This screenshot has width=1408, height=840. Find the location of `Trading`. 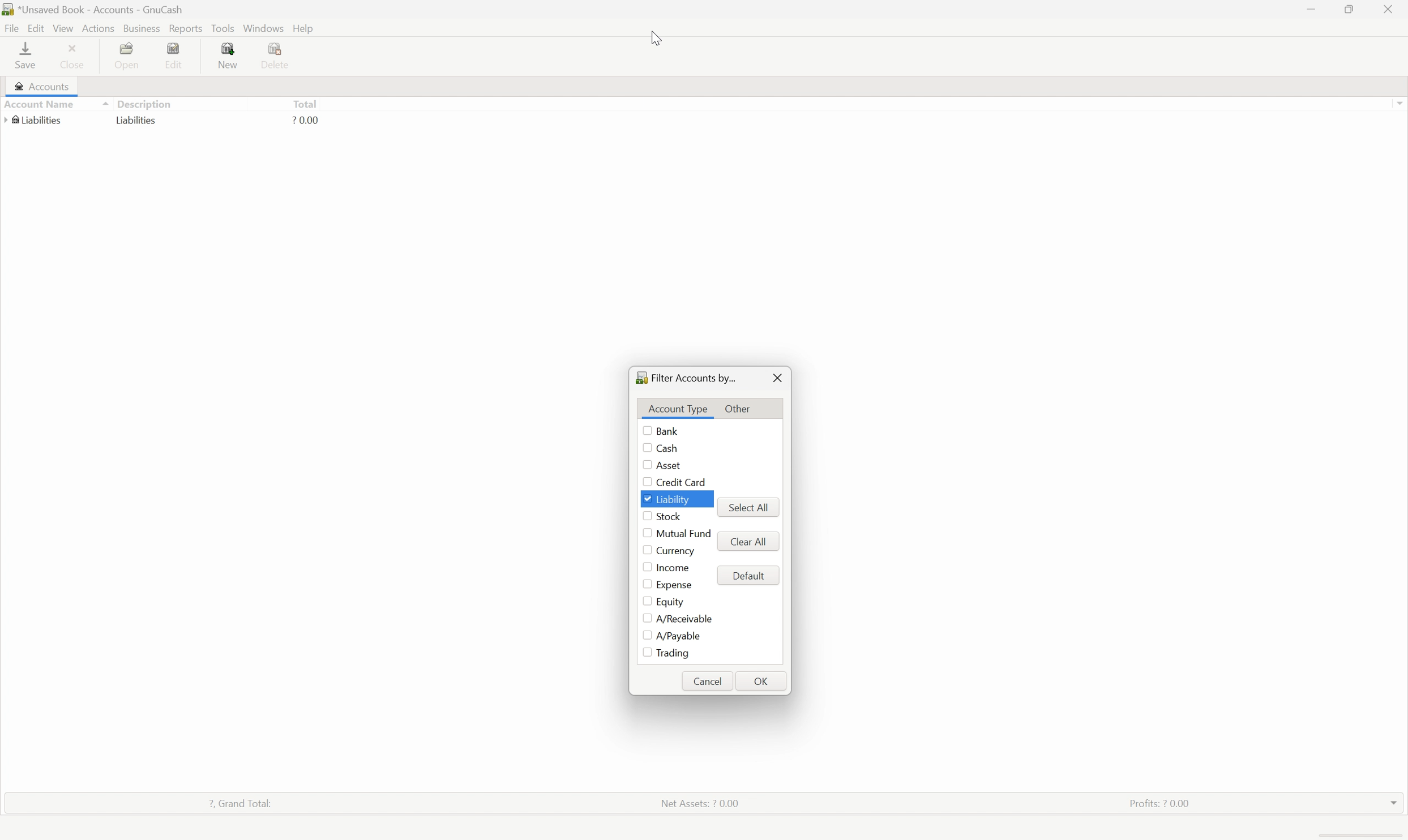

Trading is located at coordinates (674, 653).